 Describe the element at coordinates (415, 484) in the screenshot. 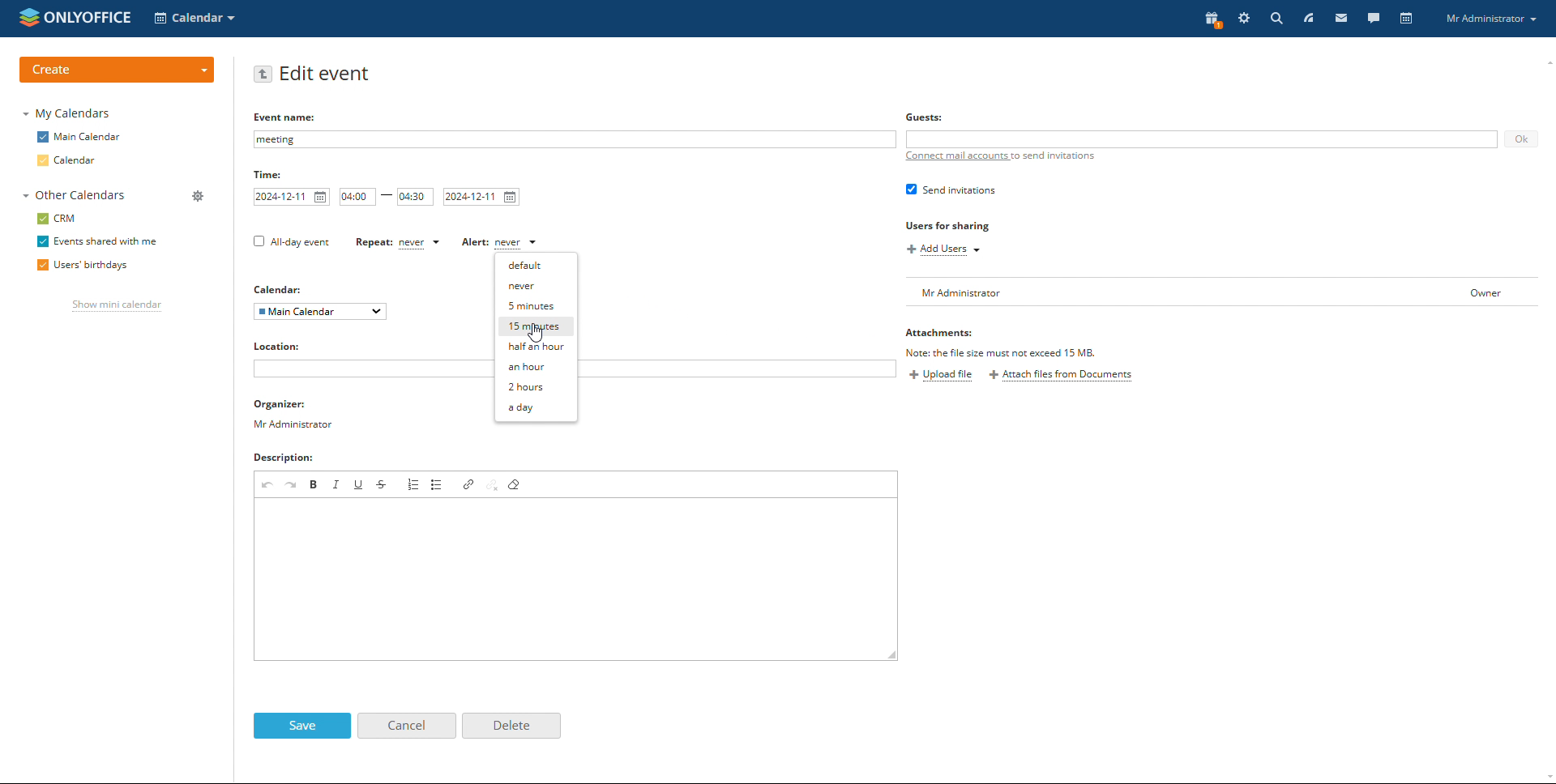

I see `insert/remove numbered list` at that location.